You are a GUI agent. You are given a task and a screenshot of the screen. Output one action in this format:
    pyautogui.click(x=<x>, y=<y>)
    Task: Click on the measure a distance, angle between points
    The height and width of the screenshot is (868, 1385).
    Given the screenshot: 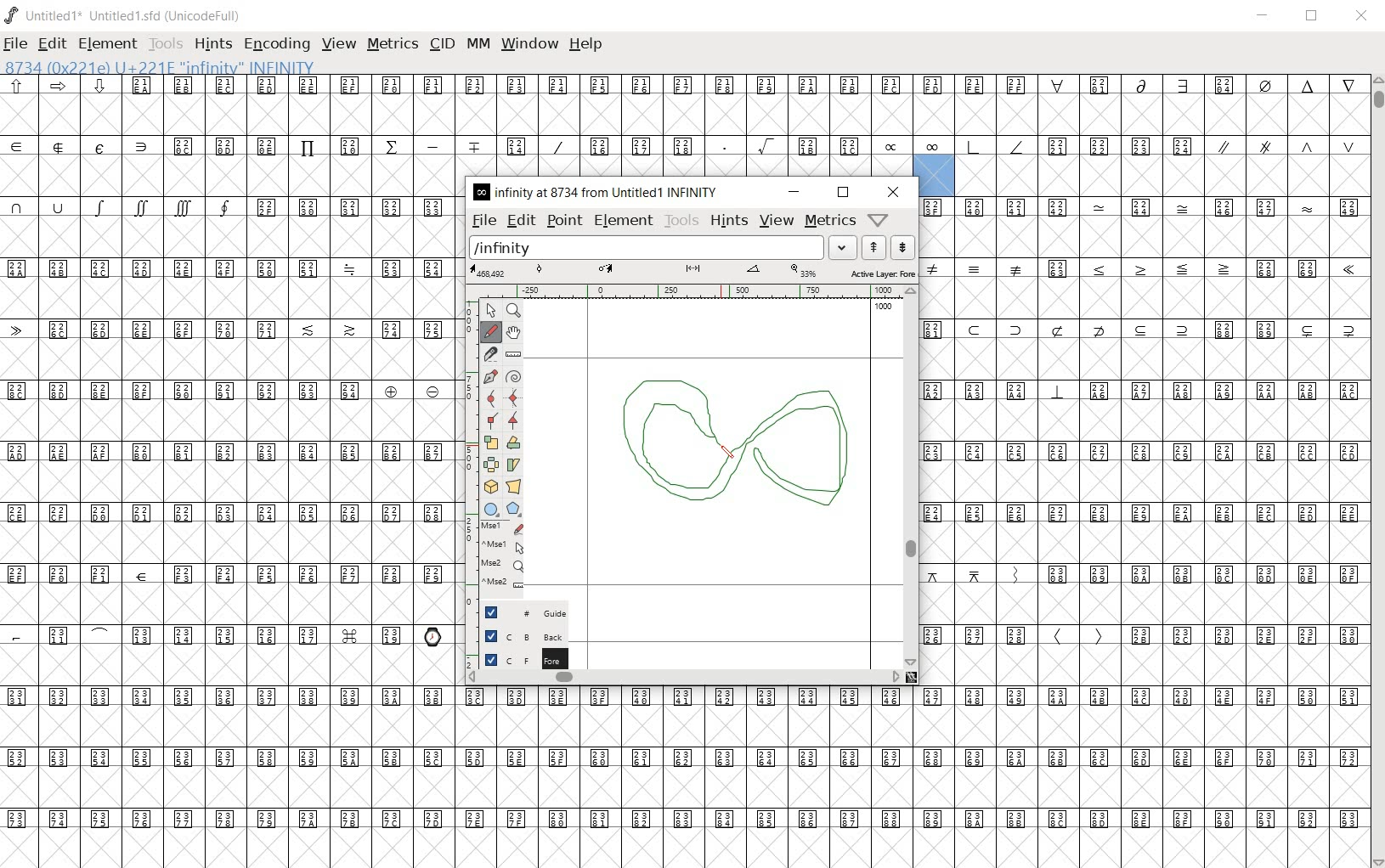 What is the action you would take?
    pyautogui.click(x=512, y=353)
    